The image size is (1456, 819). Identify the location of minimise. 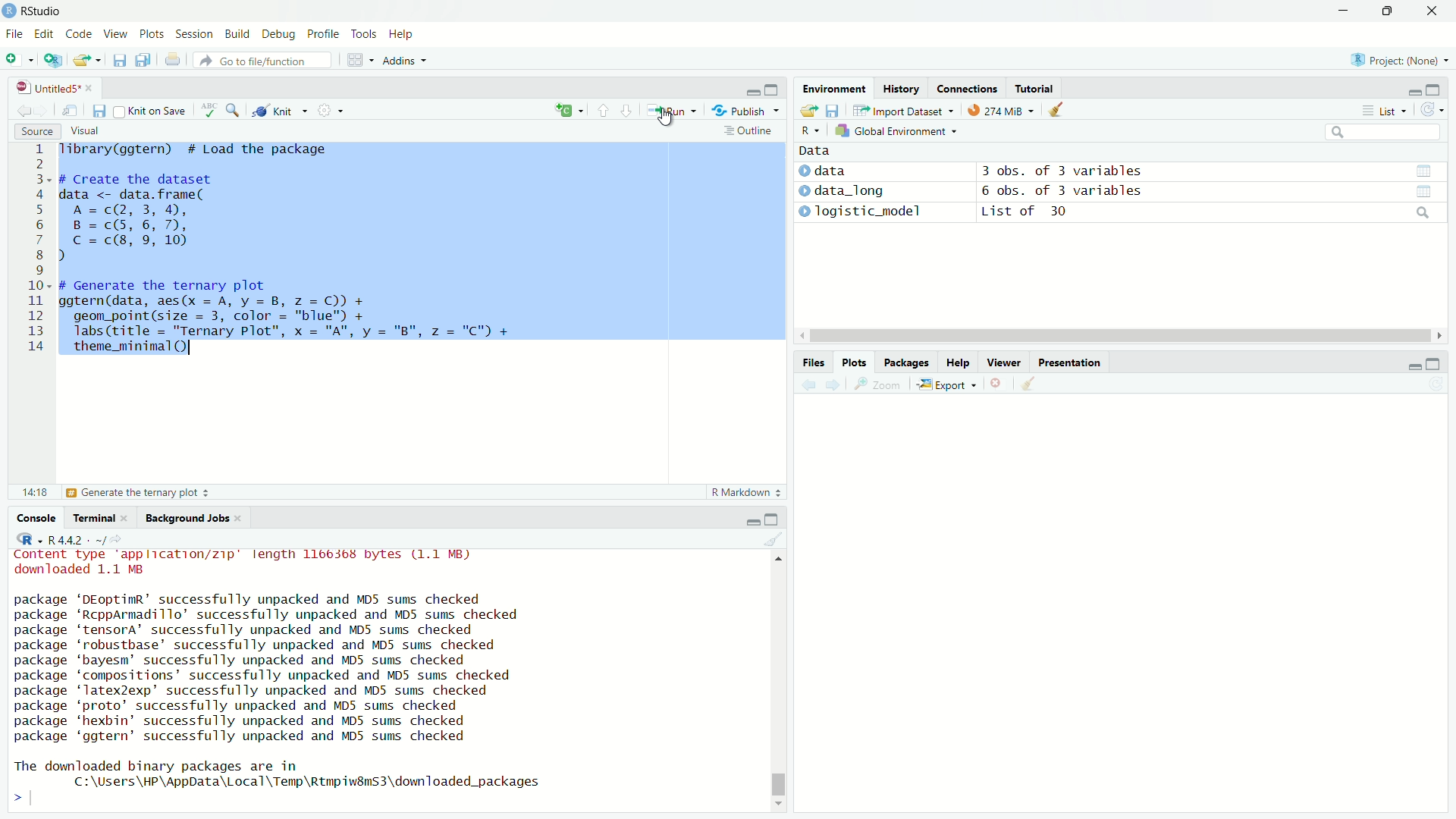
(1409, 366).